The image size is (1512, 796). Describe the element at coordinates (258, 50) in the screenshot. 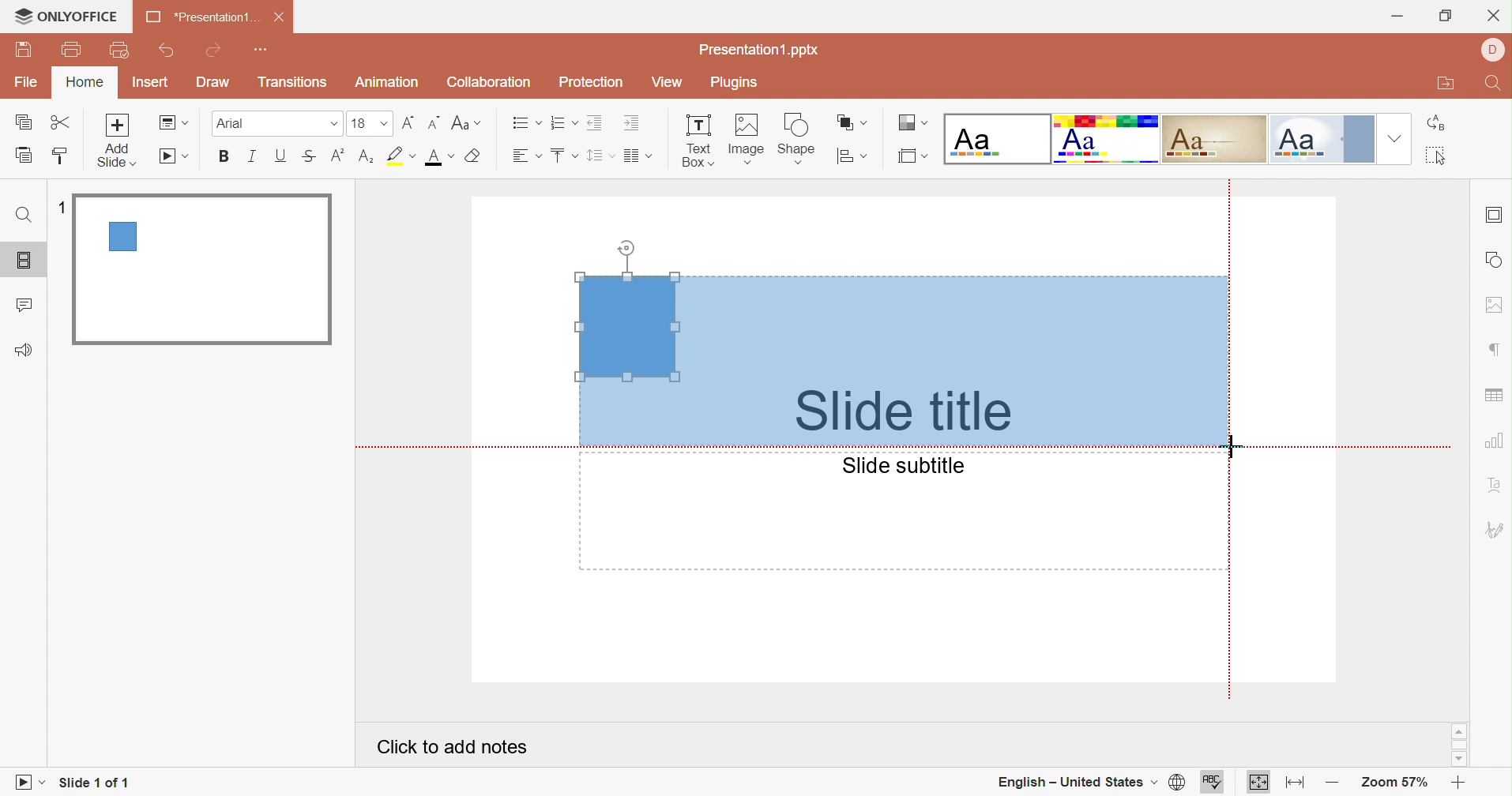

I see `Customize Quick Access Toolbar` at that location.